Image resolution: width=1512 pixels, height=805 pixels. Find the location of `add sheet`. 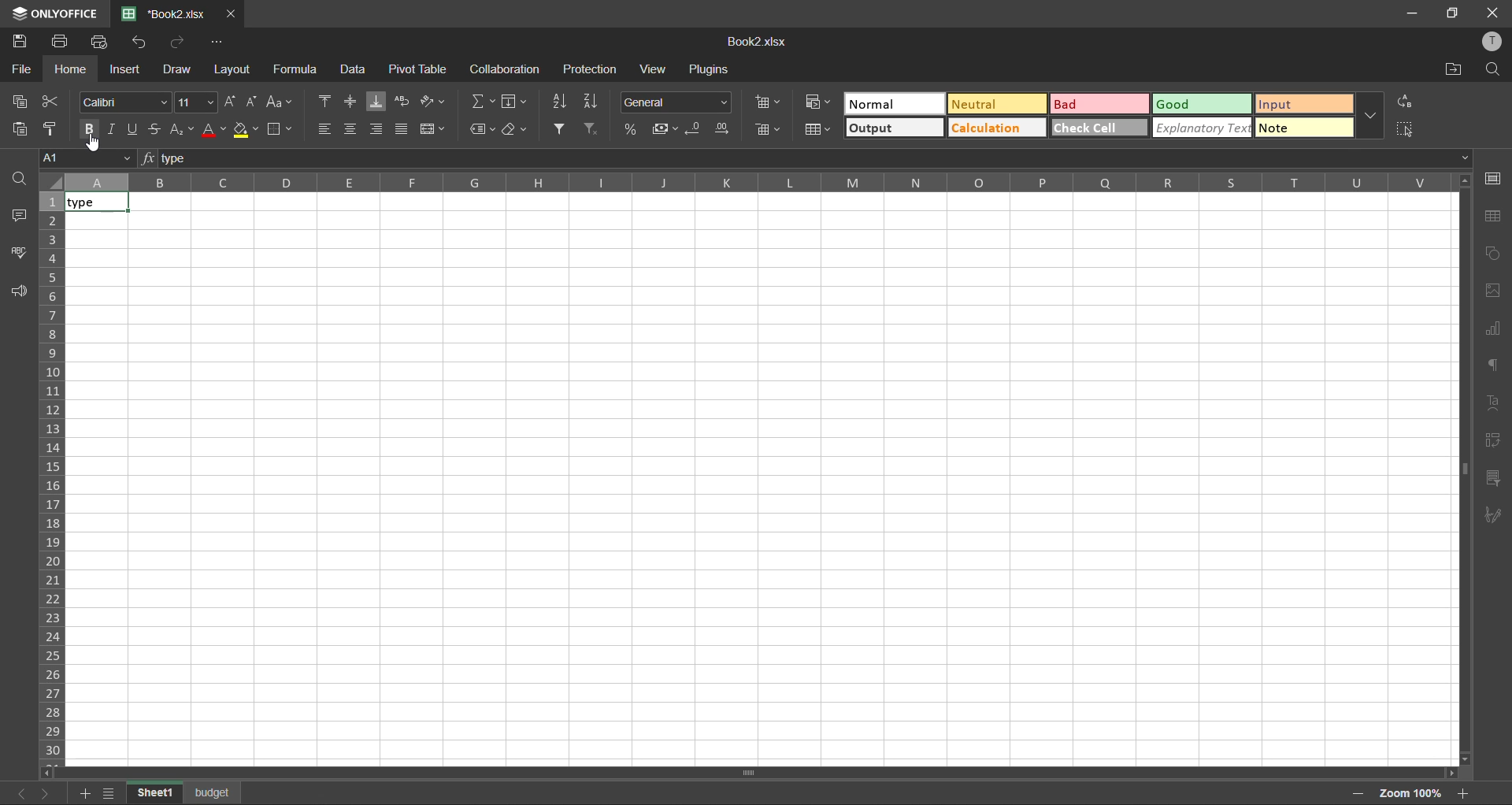

add sheet is located at coordinates (83, 796).